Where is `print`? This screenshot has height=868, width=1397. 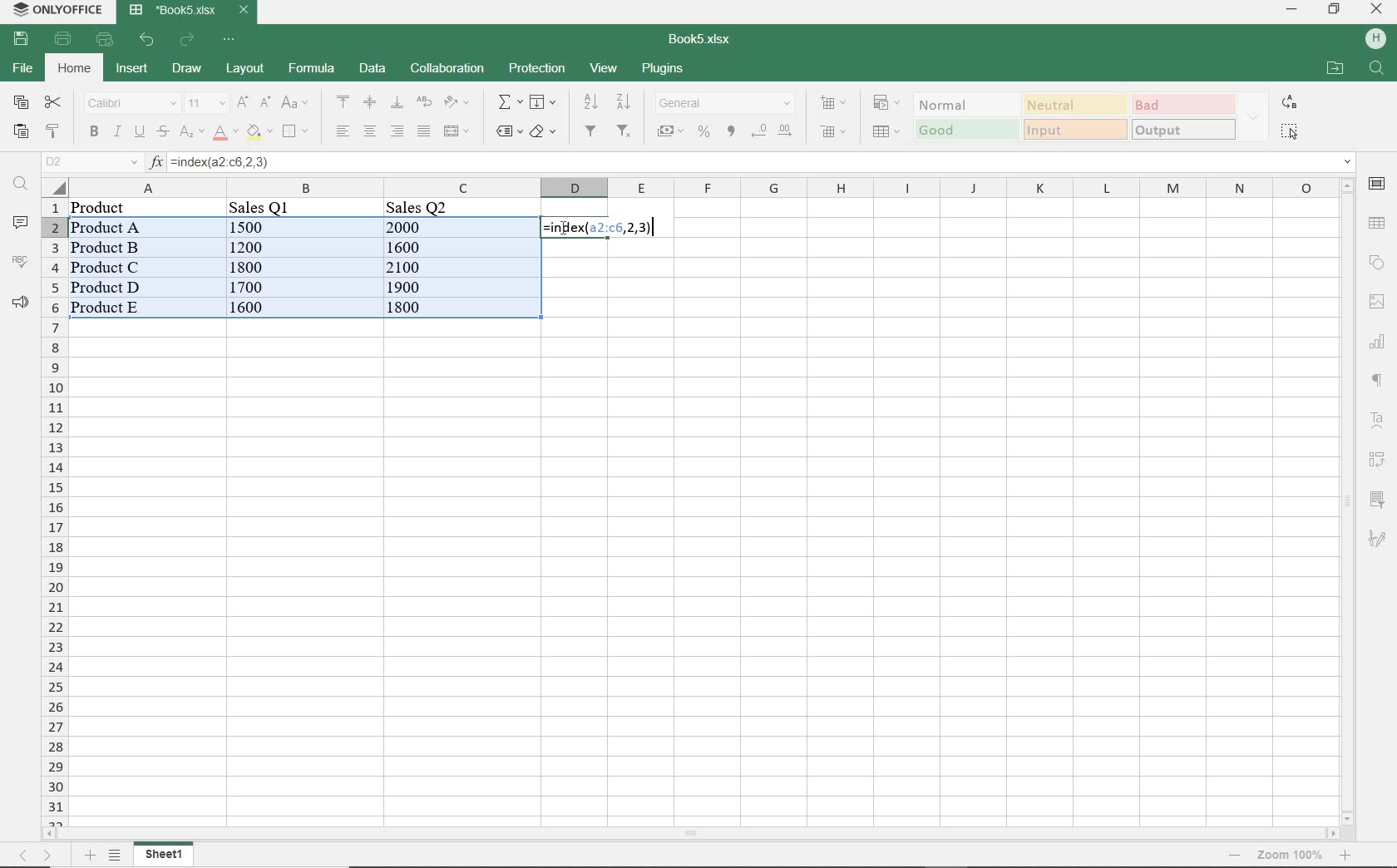
print is located at coordinates (63, 40).